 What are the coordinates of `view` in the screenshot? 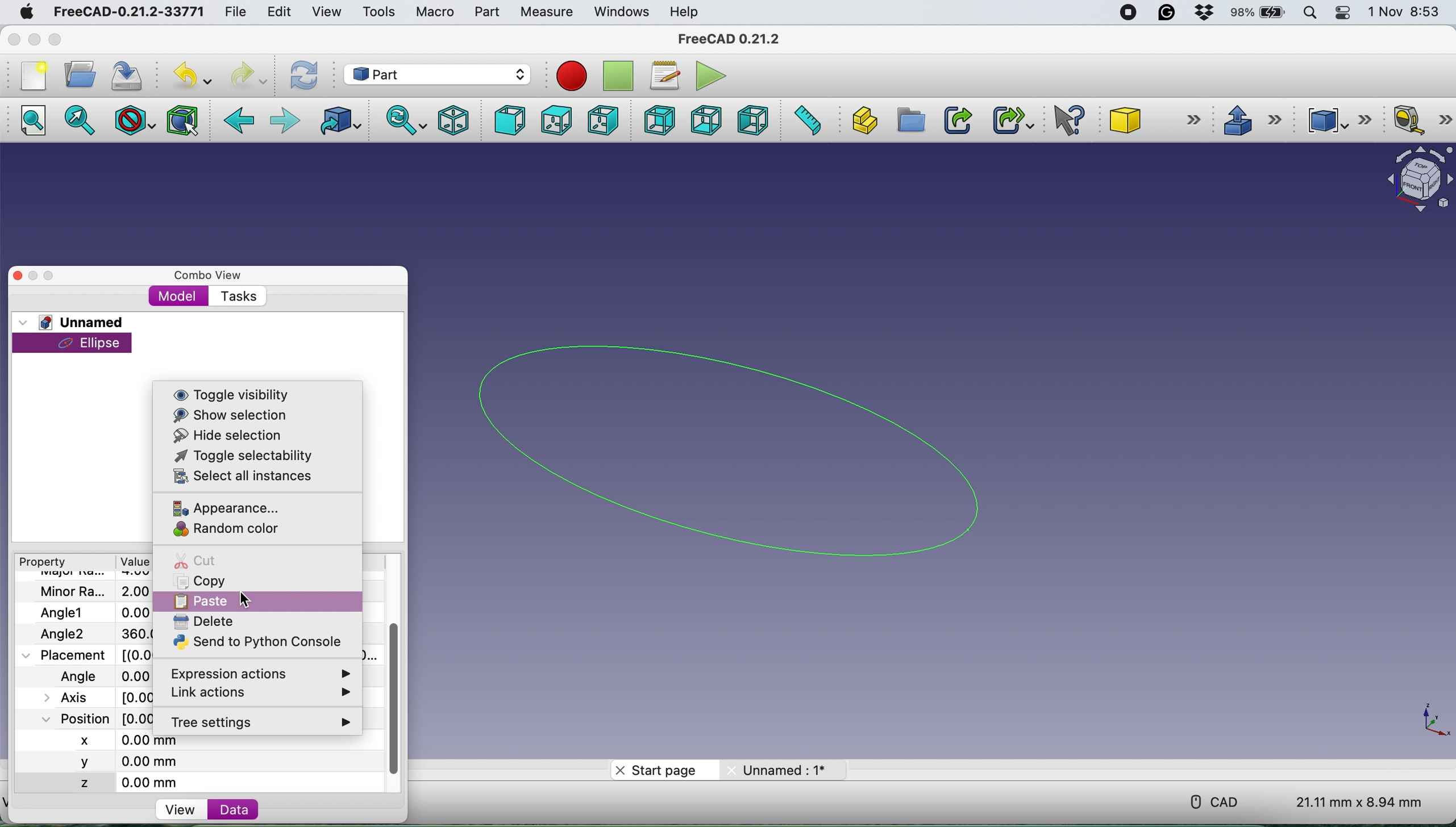 It's located at (325, 11).